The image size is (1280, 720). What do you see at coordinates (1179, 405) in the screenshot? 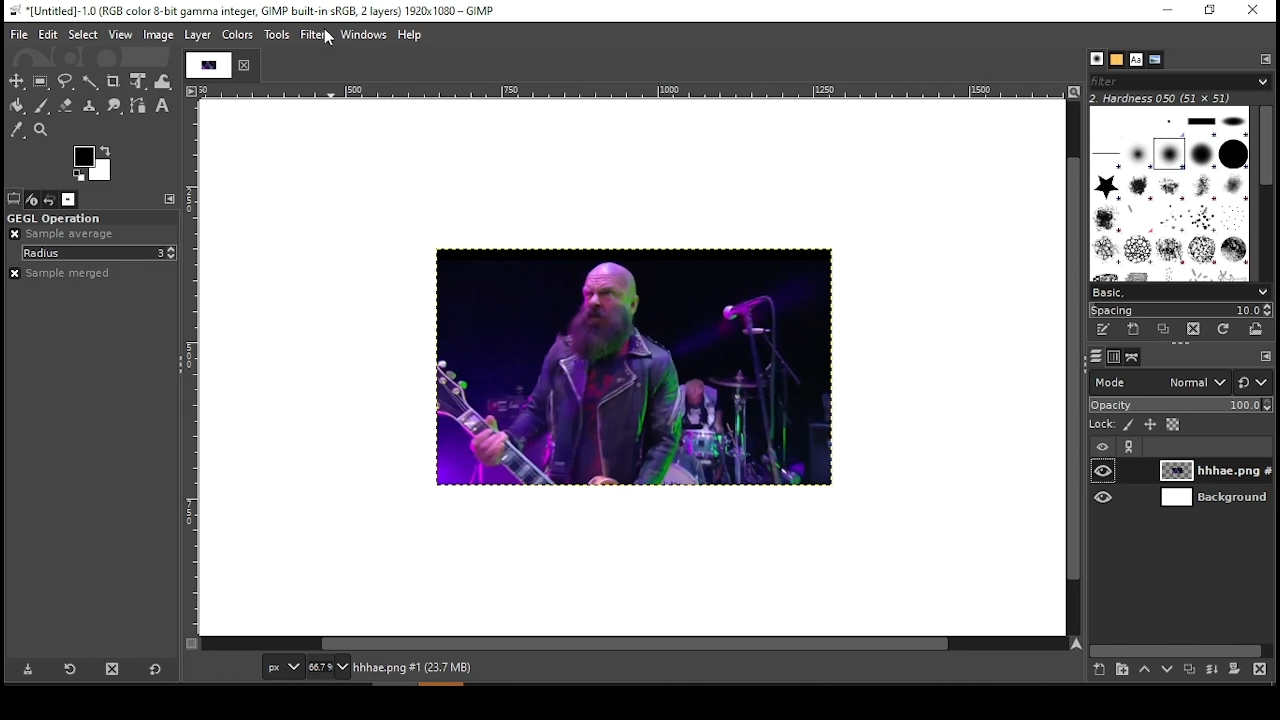
I see `opacity` at bounding box center [1179, 405].